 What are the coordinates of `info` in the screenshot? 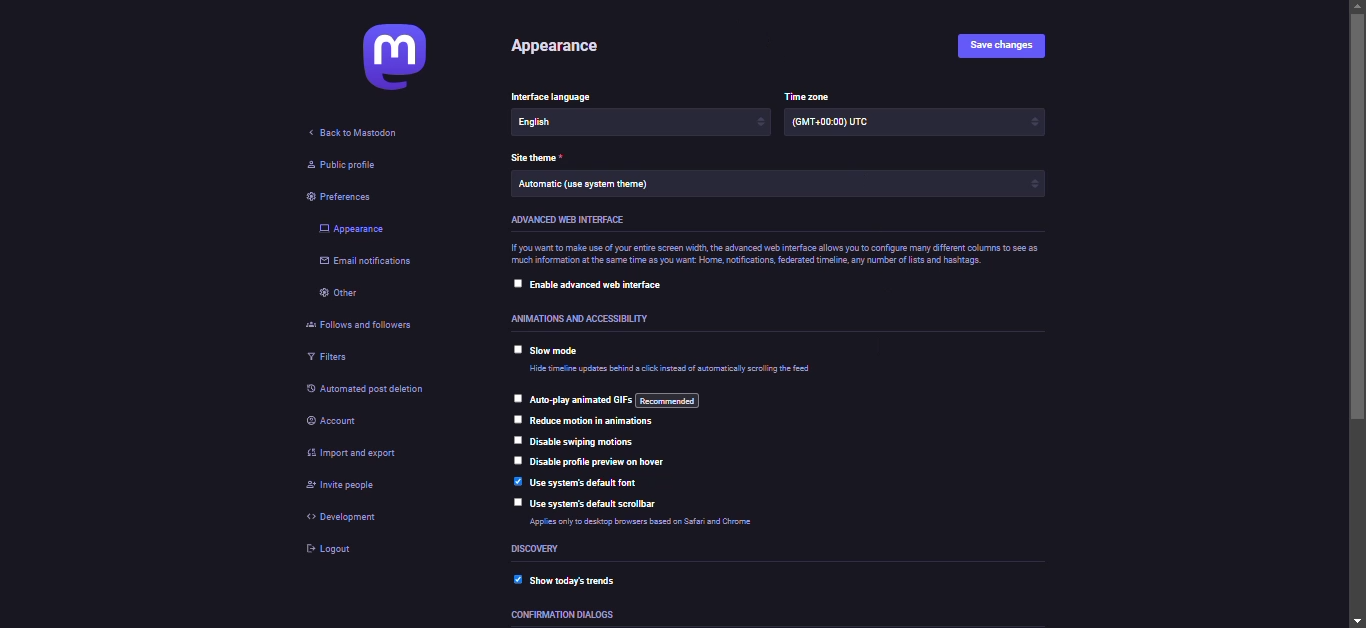 It's located at (676, 370).